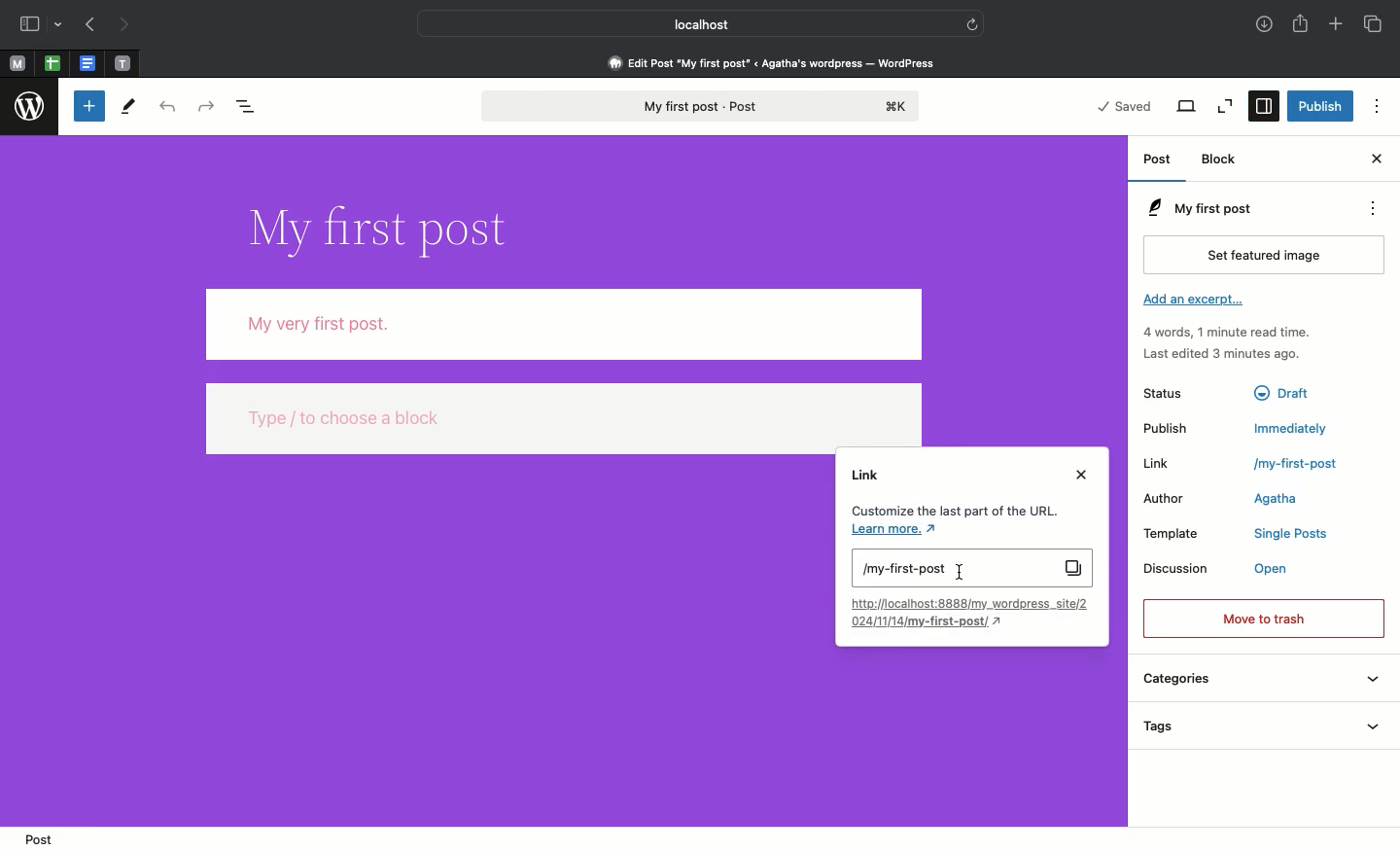 This screenshot has width=1400, height=850. What do you see at coordinates (1191, 300) in the screenshot?
I see `Add an excerpt` at bounding box center [1191, 300].